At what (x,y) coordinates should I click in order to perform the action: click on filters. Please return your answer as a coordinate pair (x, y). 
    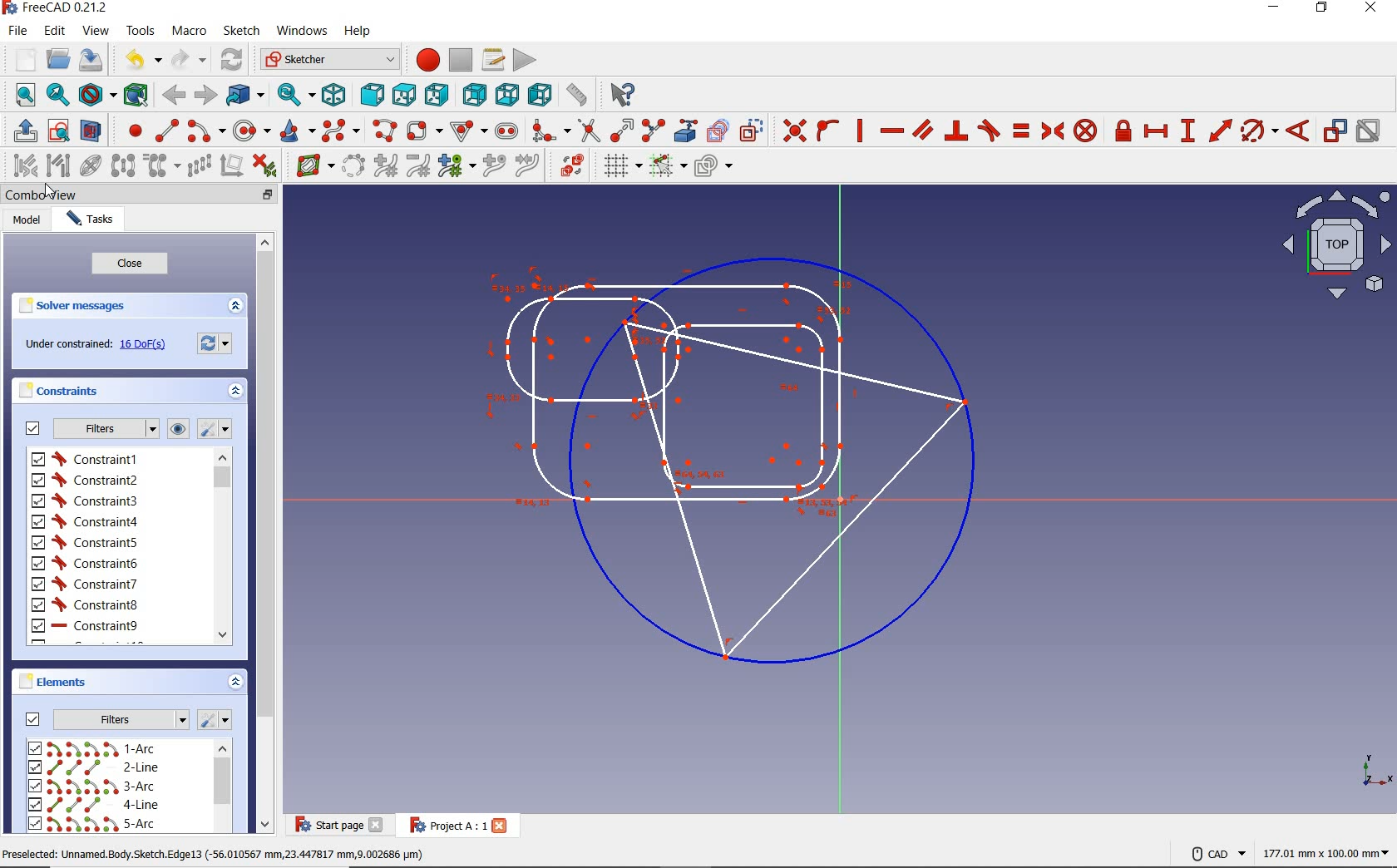
    Looking at the image, I should click on (101, 718).